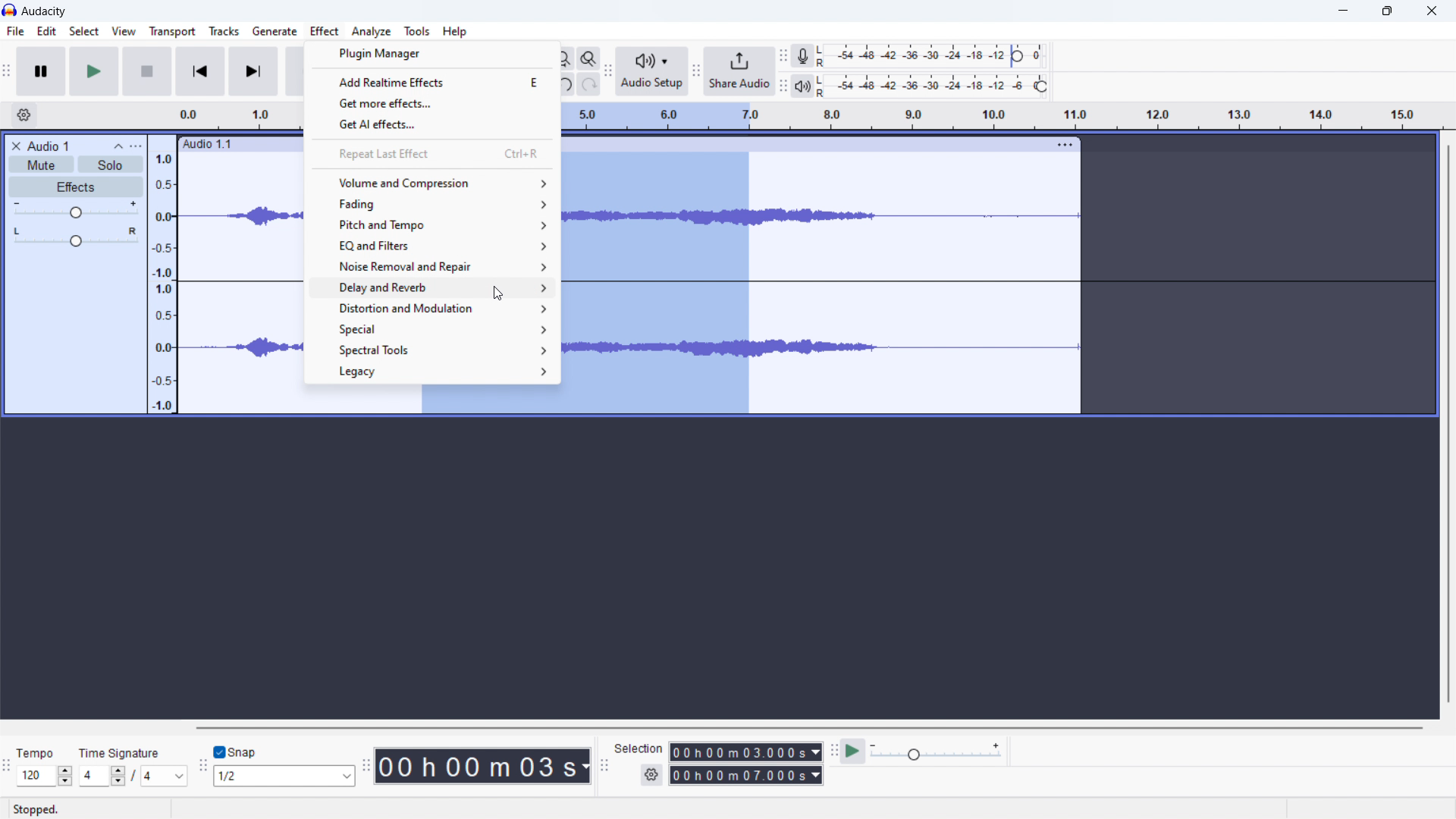 The image size is (1456, 819). I want to click on audio setup toolbar, so click(608, 71).